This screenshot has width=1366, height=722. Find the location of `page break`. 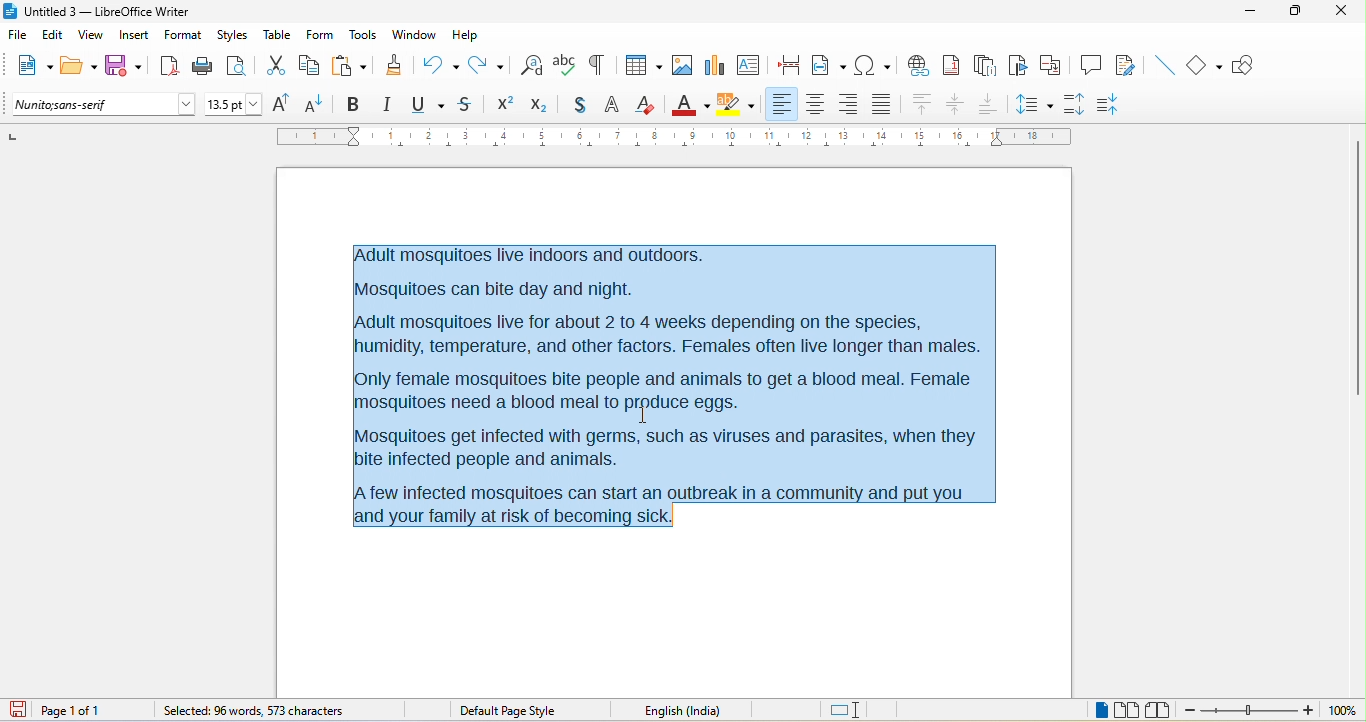

page break is located at coordinates (792, 67).